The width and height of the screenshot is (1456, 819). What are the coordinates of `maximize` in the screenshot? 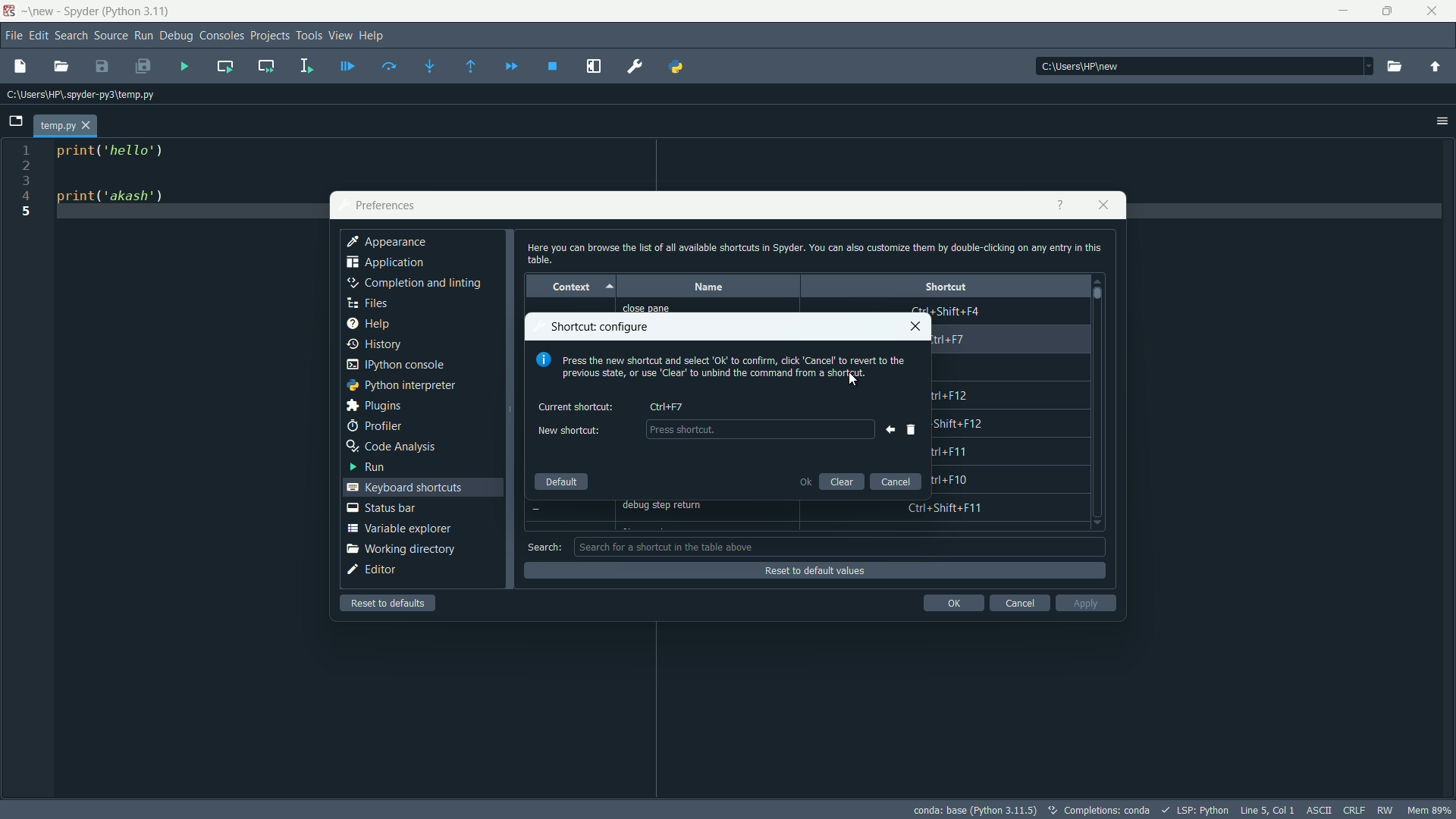 It's located at (1389, 11).